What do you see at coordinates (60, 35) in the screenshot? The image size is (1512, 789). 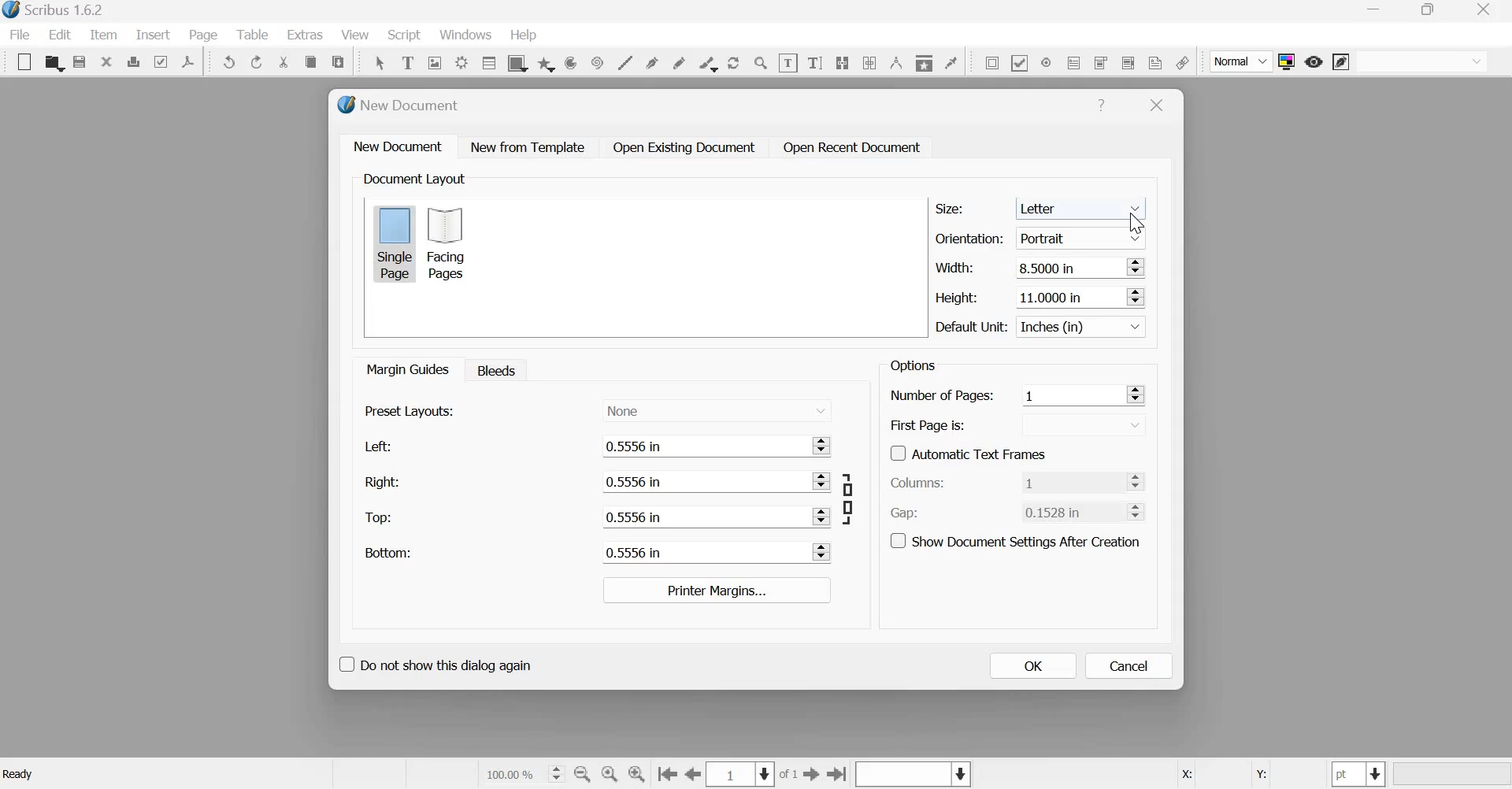 I see `Edit` at bounding box center [60, 35].